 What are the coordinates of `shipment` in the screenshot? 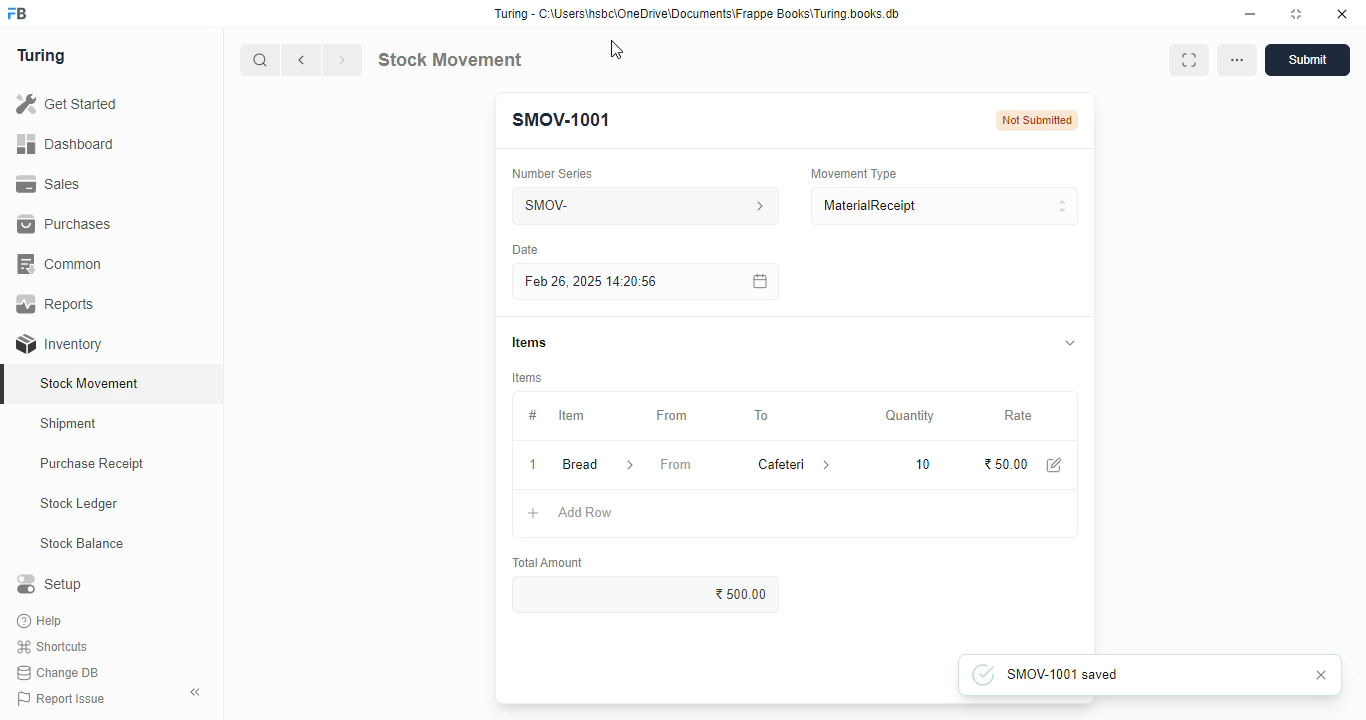 It's located at (69, 424).